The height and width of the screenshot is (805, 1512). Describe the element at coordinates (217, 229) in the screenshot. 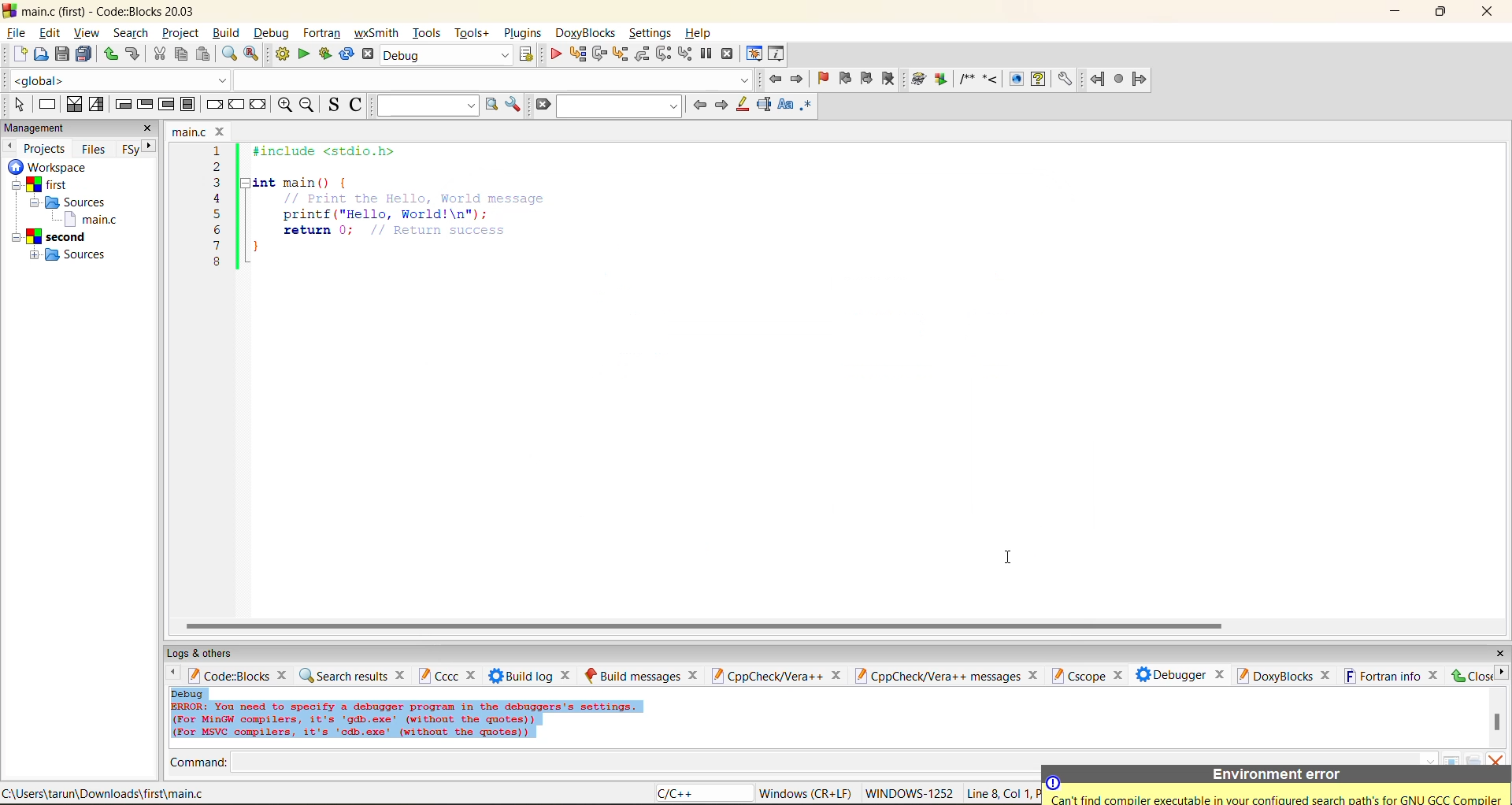

I see `6` at that location.